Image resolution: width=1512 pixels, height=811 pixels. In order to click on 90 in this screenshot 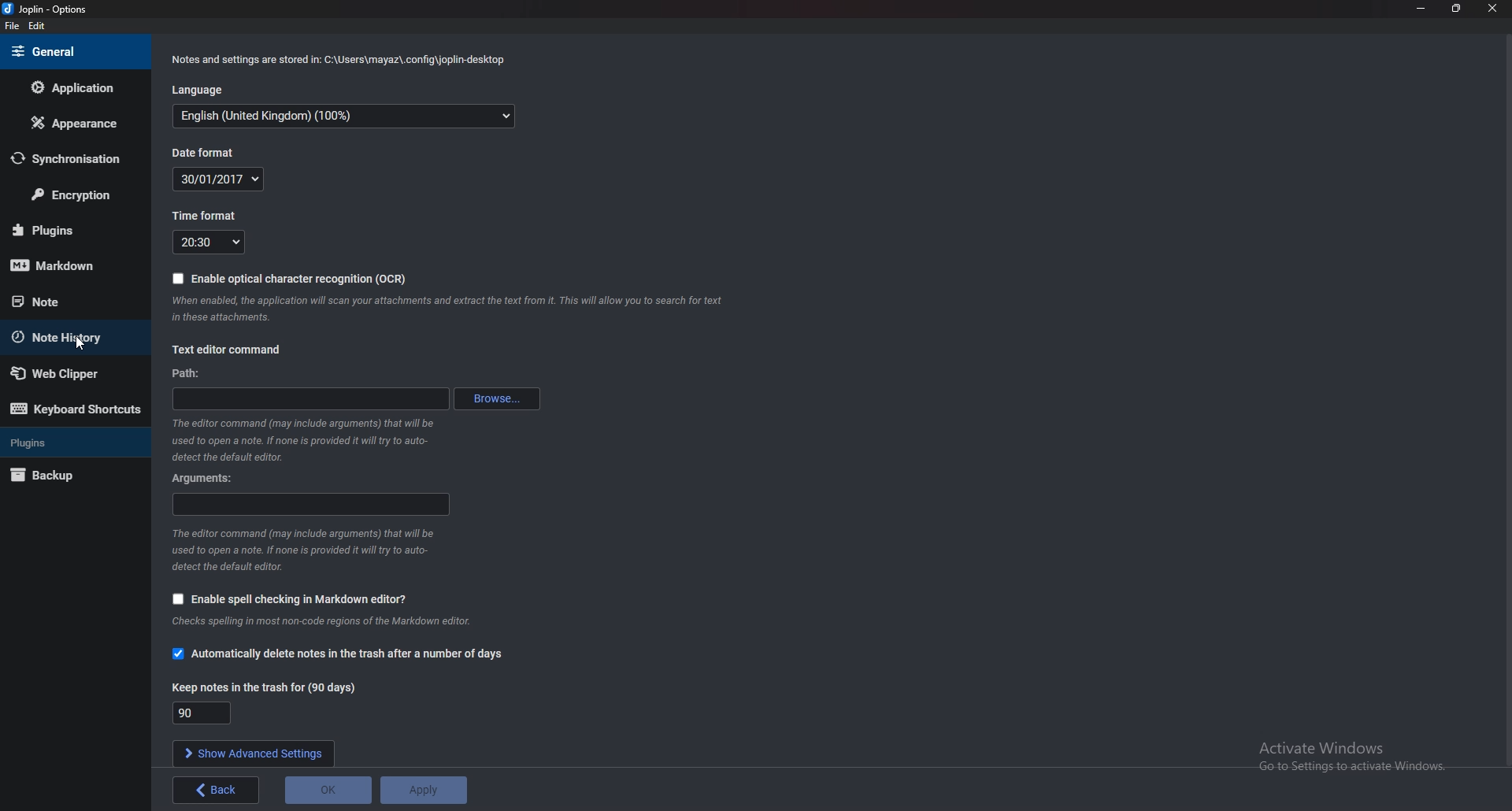, I will do `click(202, 713)`.